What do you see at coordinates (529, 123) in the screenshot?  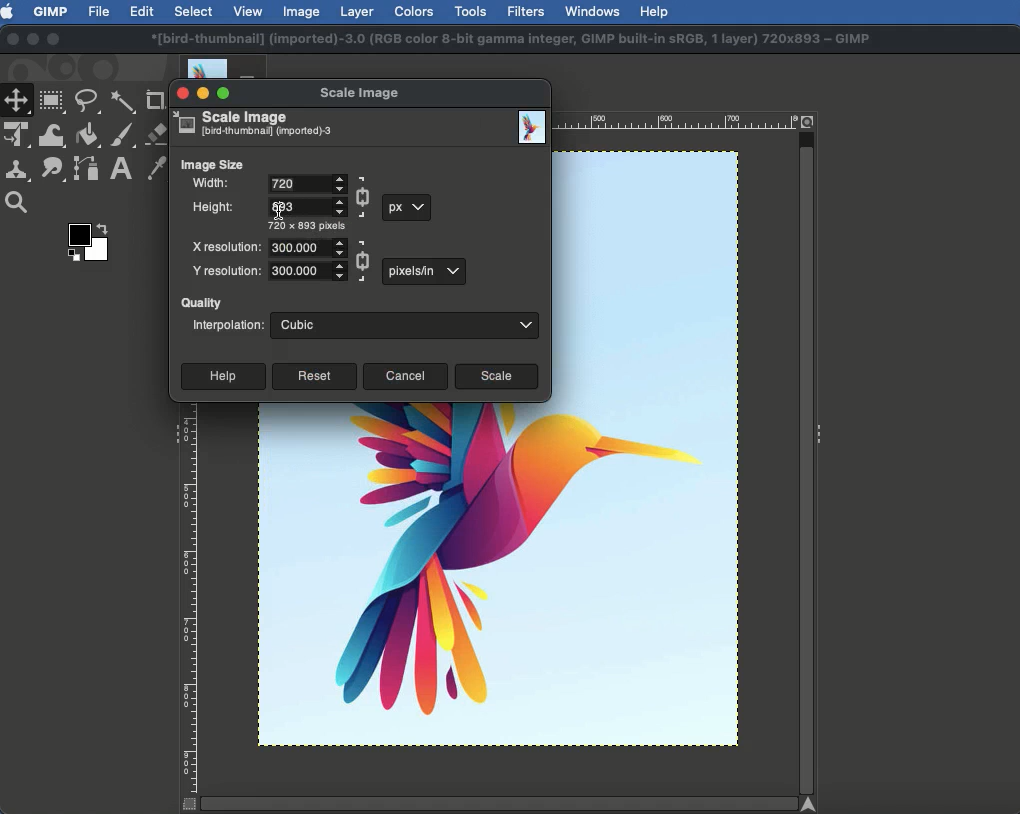 I see `Image` at bounding box center [529, 123].